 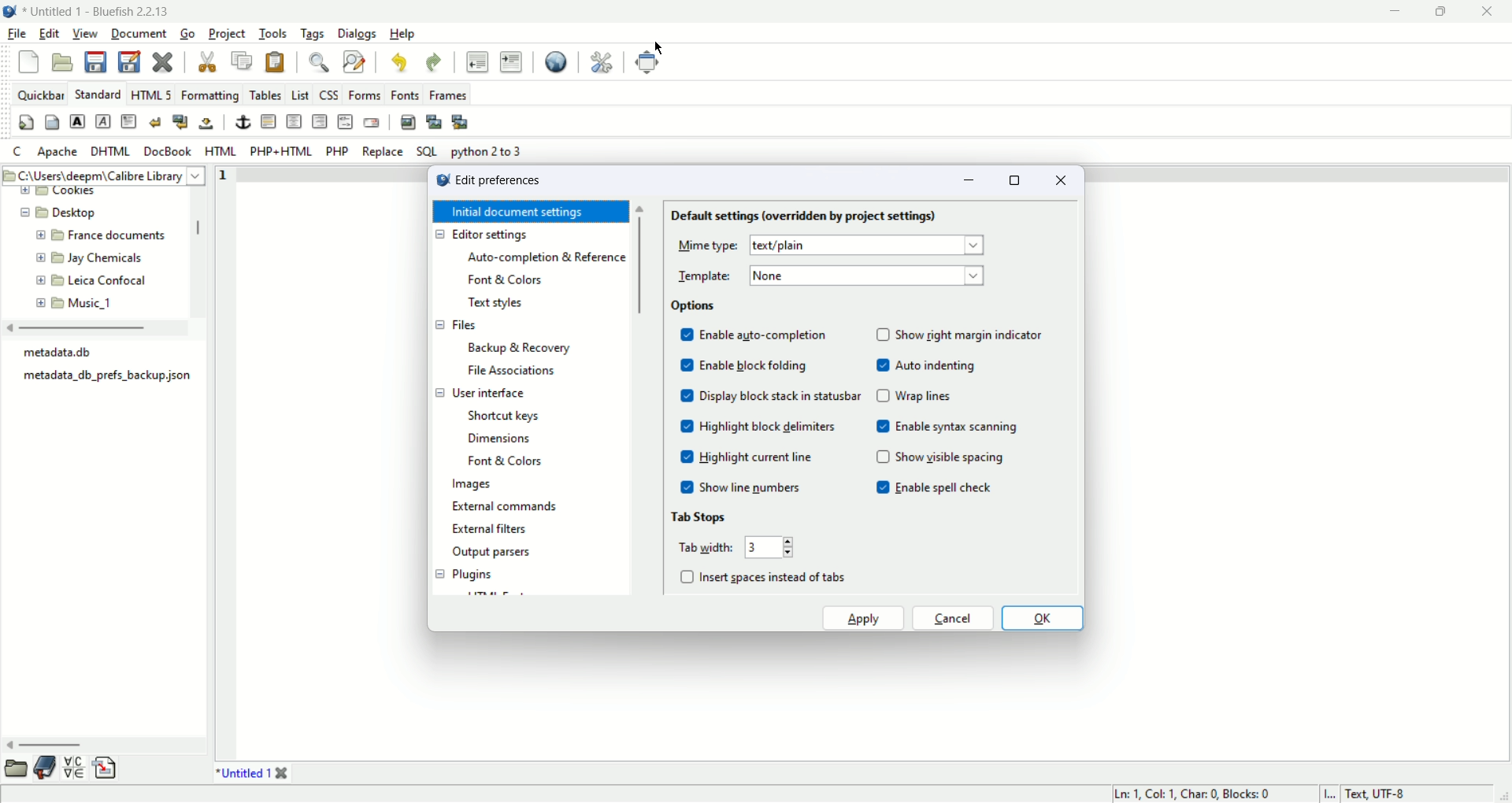 I want to click on horizontal rule, so click(x=266, y=124).